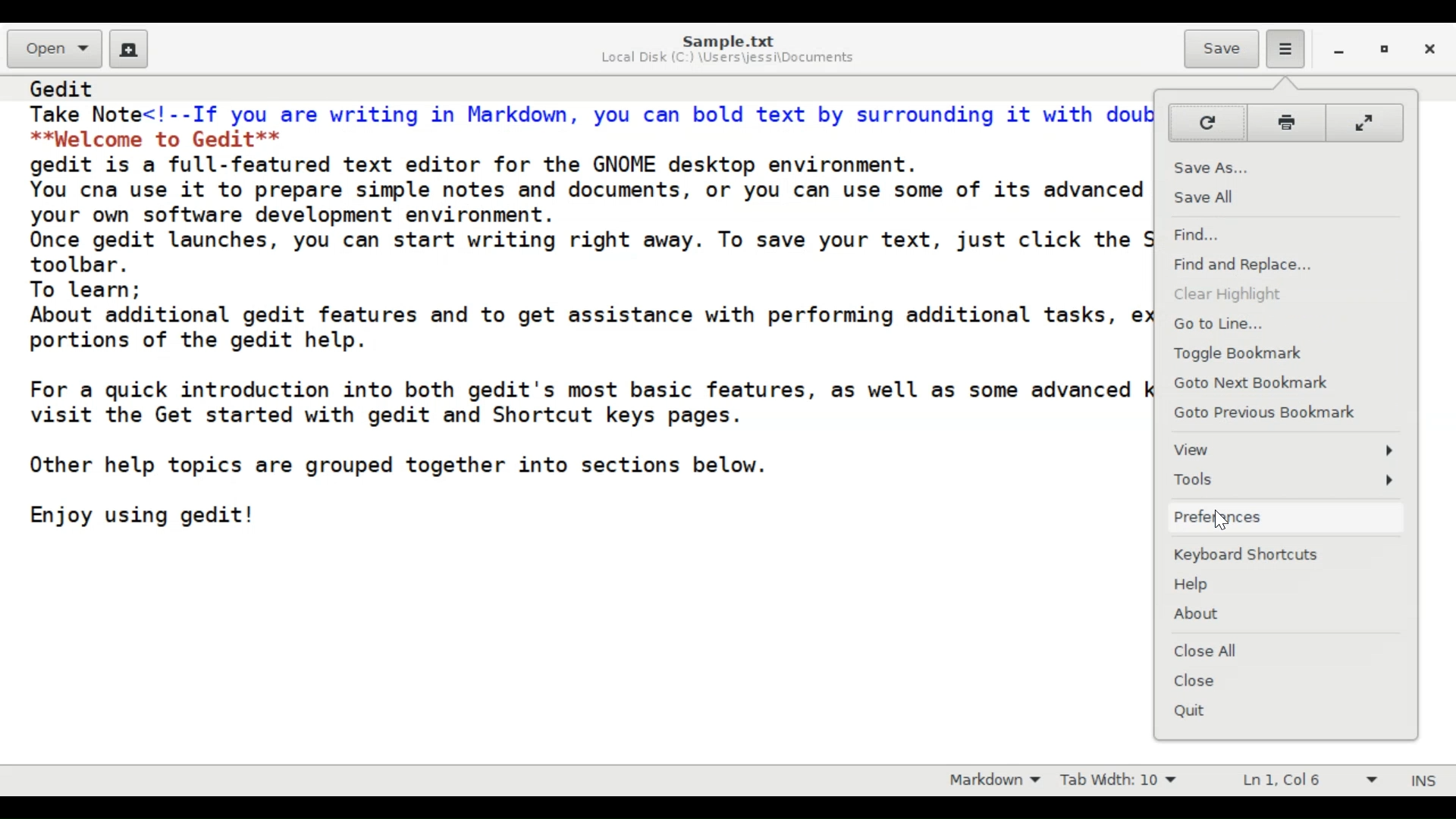 The image size is (1456, 819). Describe the element at coordinates (1287, 354) in the screenshot. I see `Toggle bookmark` at that location.